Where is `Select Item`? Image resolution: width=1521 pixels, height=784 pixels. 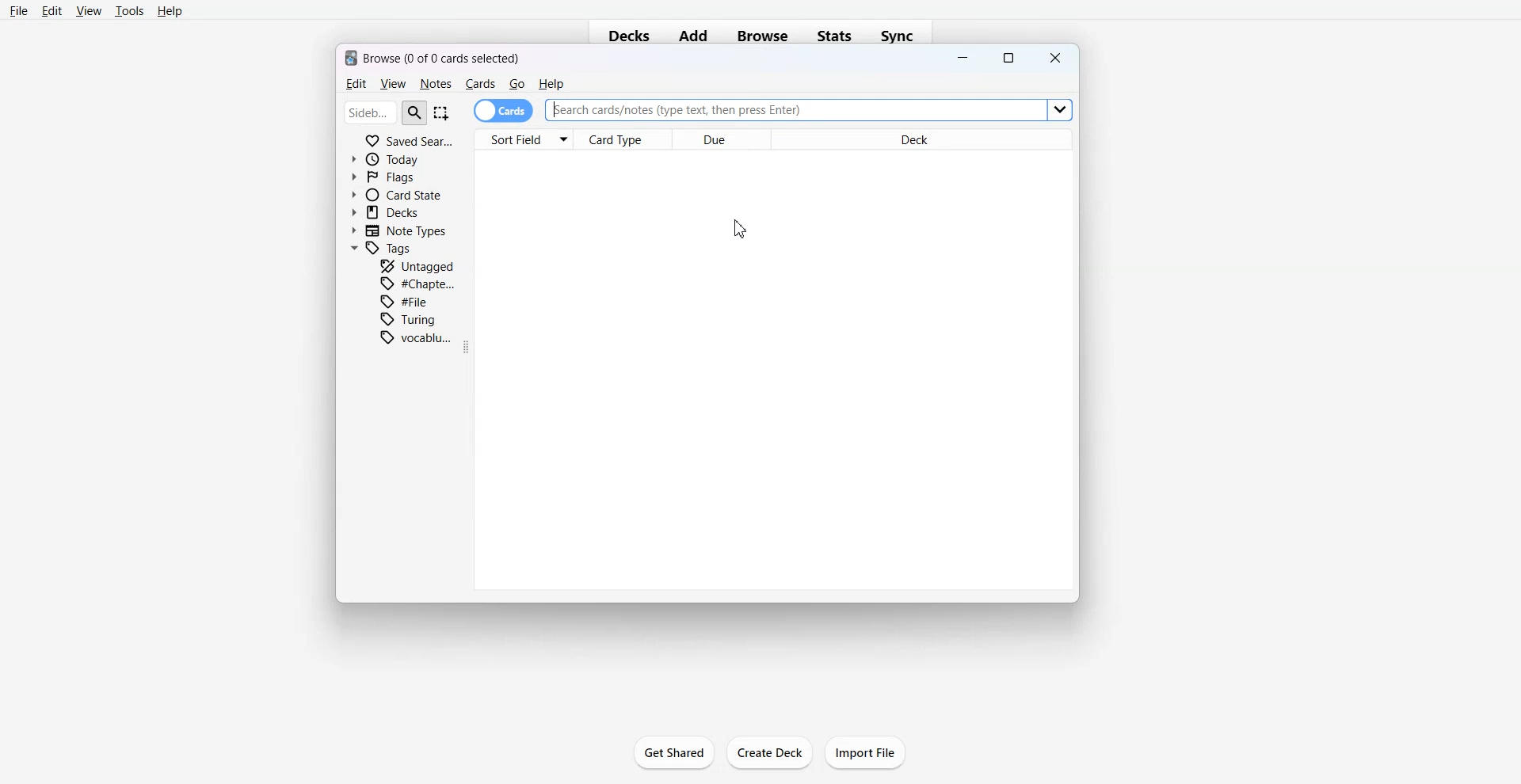 Select Item is located at coordinates (443, 112).